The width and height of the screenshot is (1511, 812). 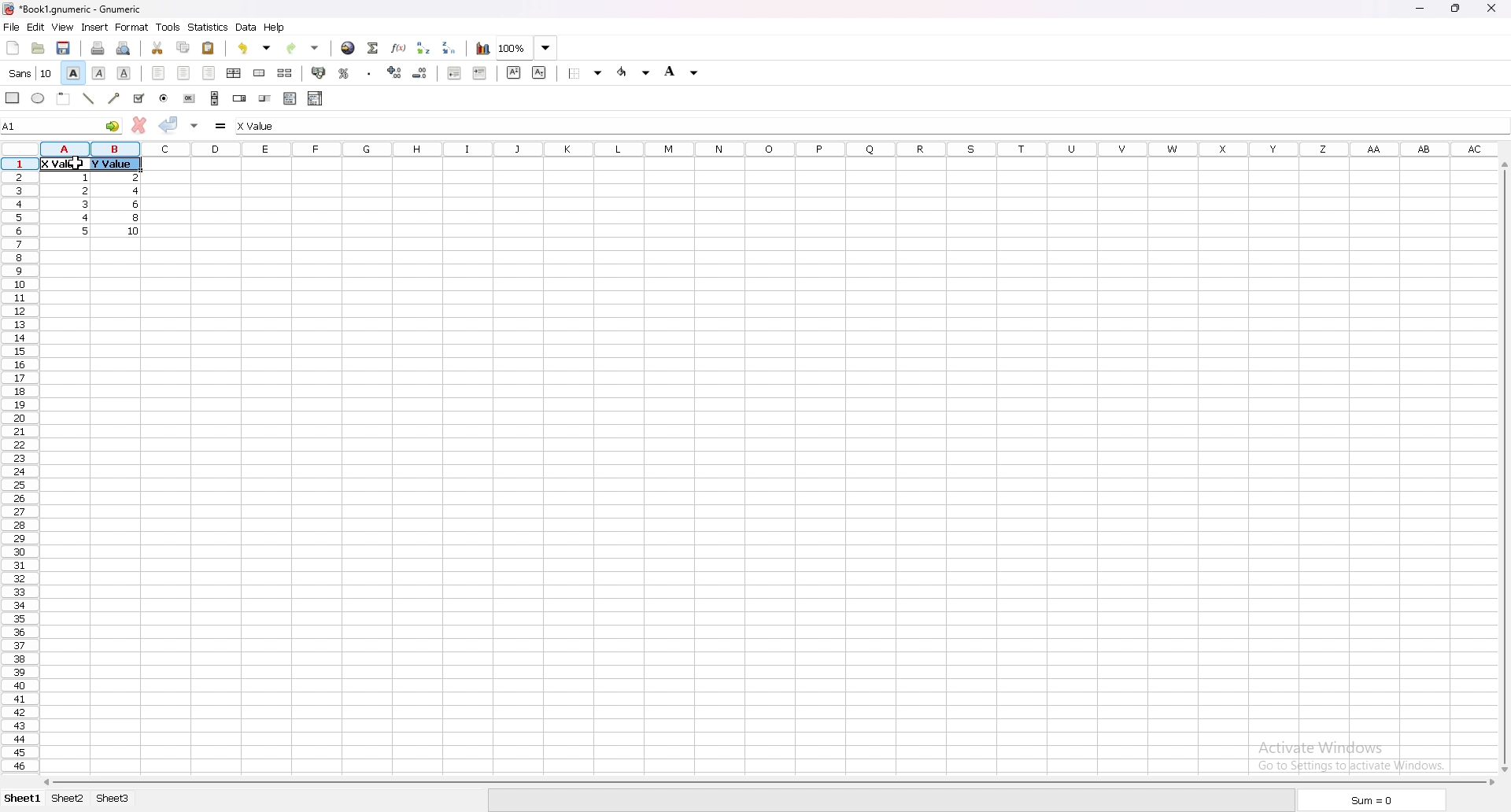 I want to click on activate windows, so click(x=1357, y=754).